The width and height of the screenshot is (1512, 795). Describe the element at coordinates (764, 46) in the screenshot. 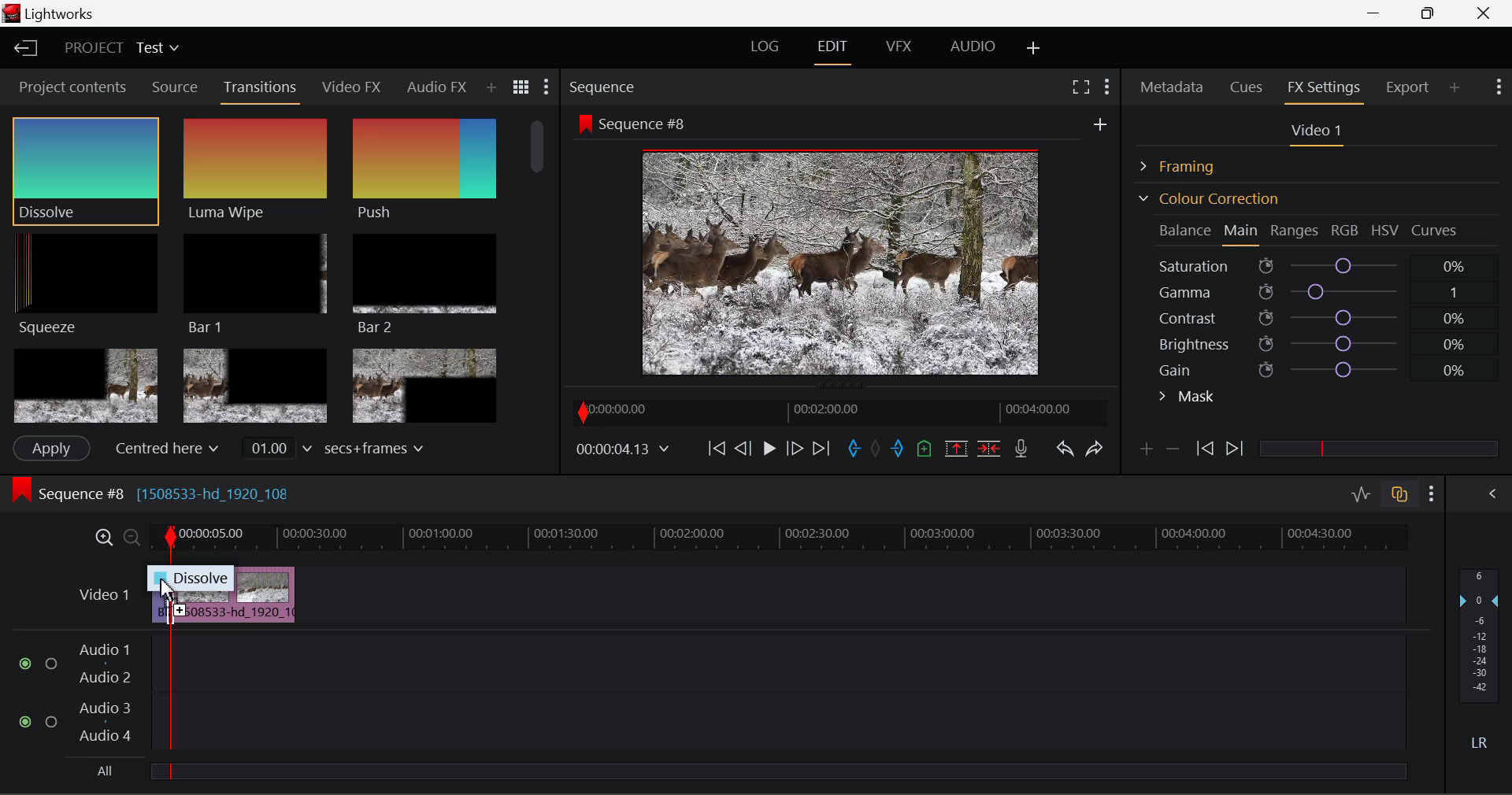

I see `LOG Layout` at that location.